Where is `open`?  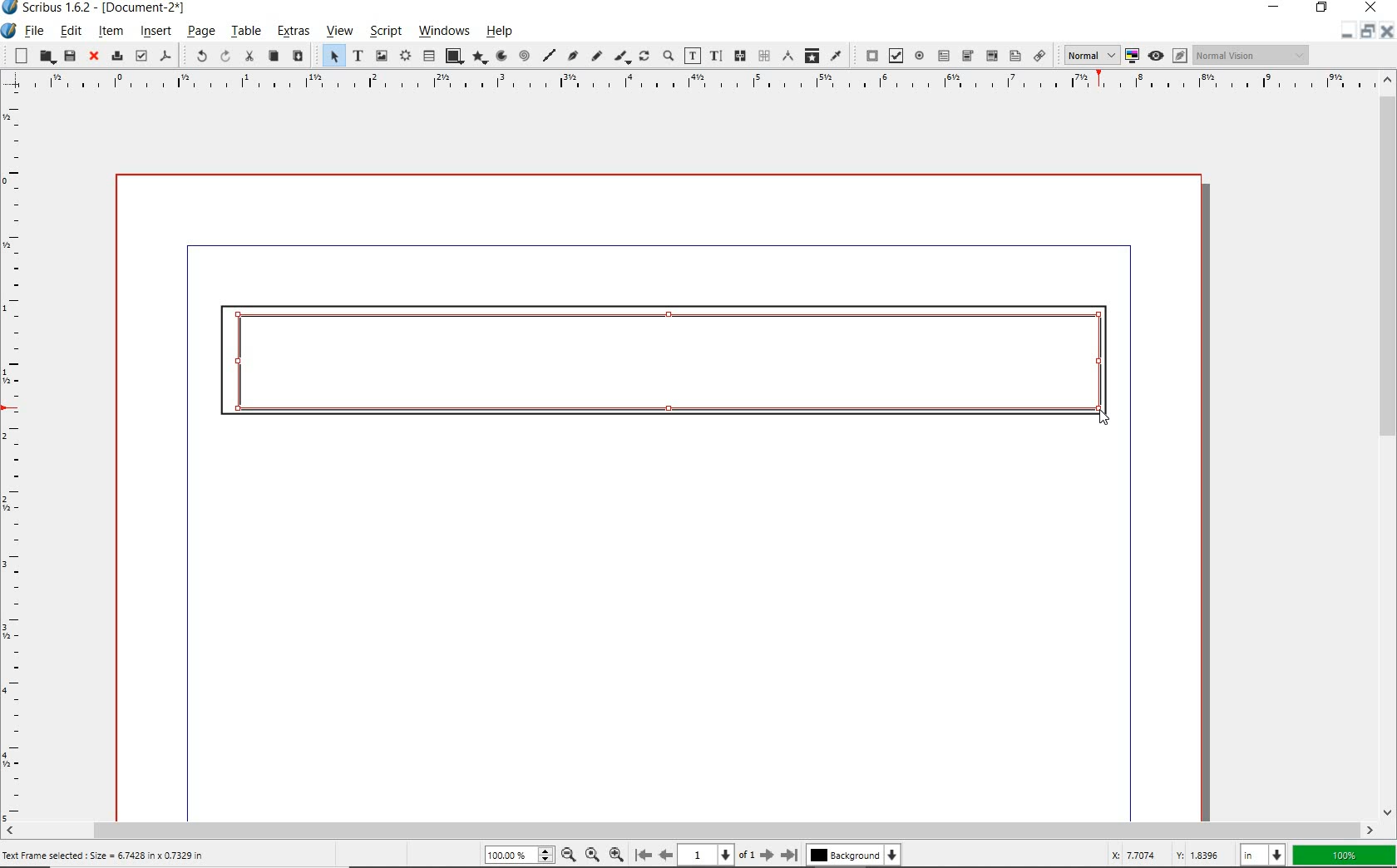 open is located at coordinates (45, 57).